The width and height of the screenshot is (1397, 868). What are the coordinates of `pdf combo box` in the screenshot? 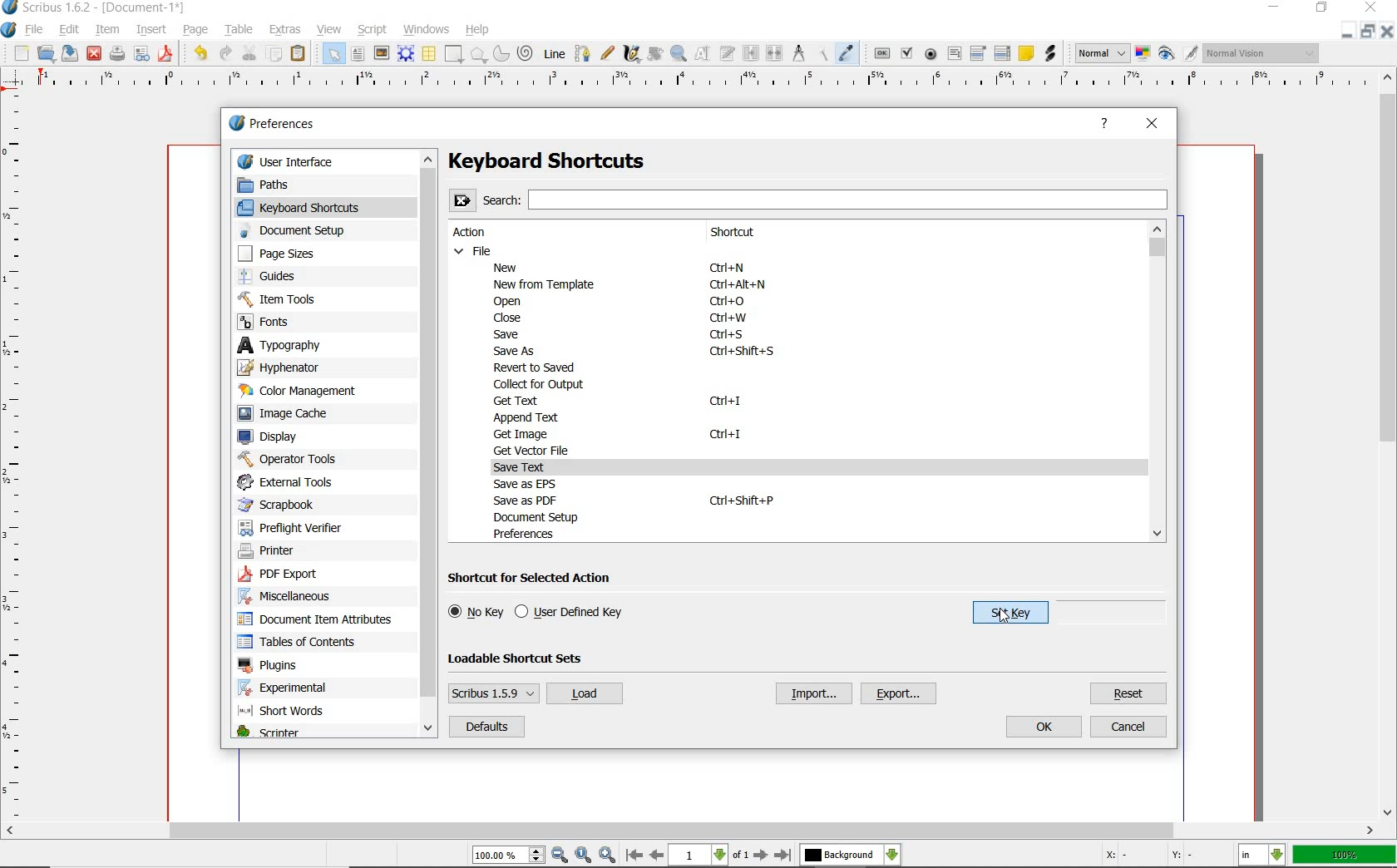 It's located at (978, 54).